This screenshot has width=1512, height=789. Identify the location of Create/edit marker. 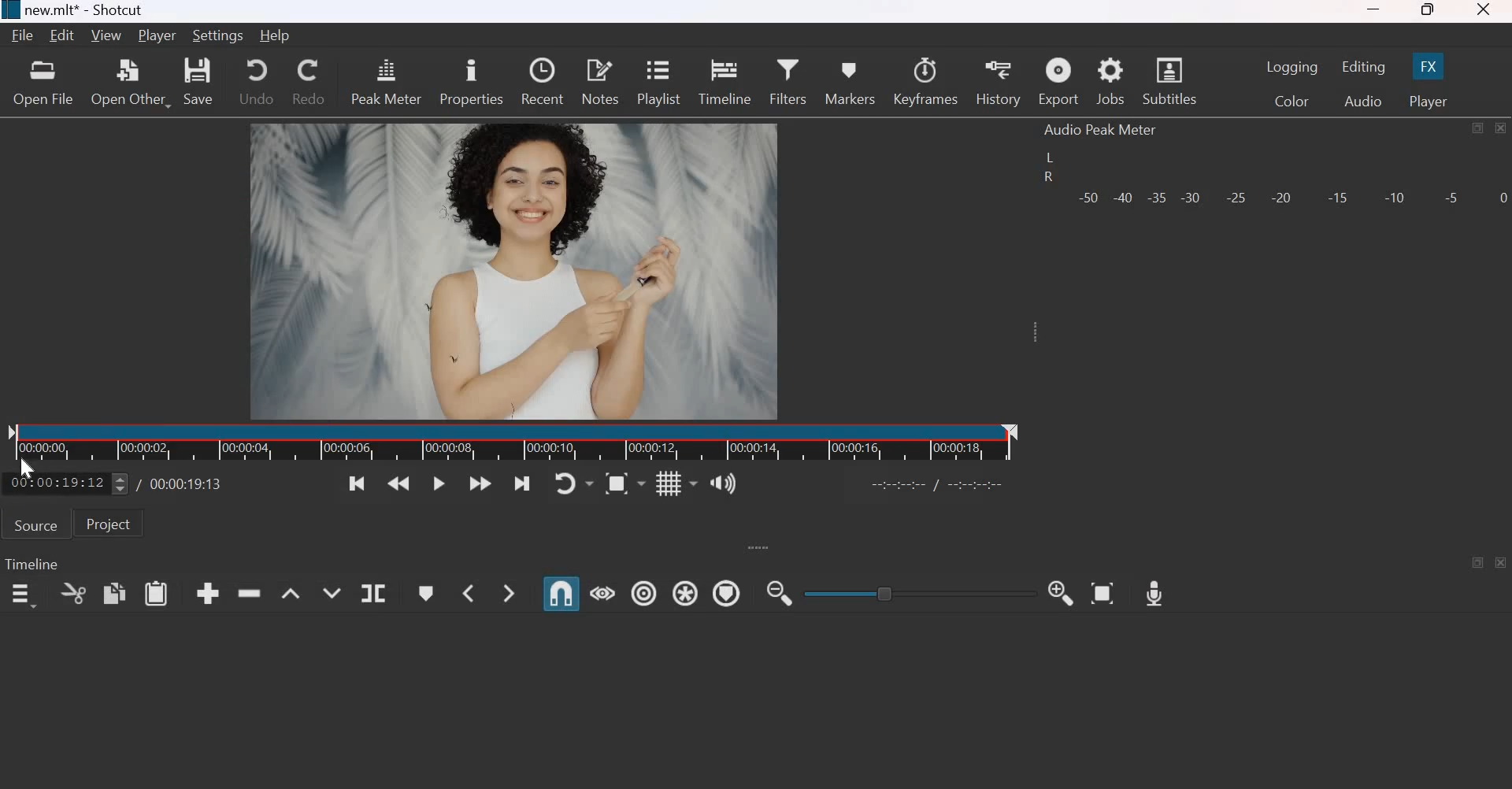
(427, 594).